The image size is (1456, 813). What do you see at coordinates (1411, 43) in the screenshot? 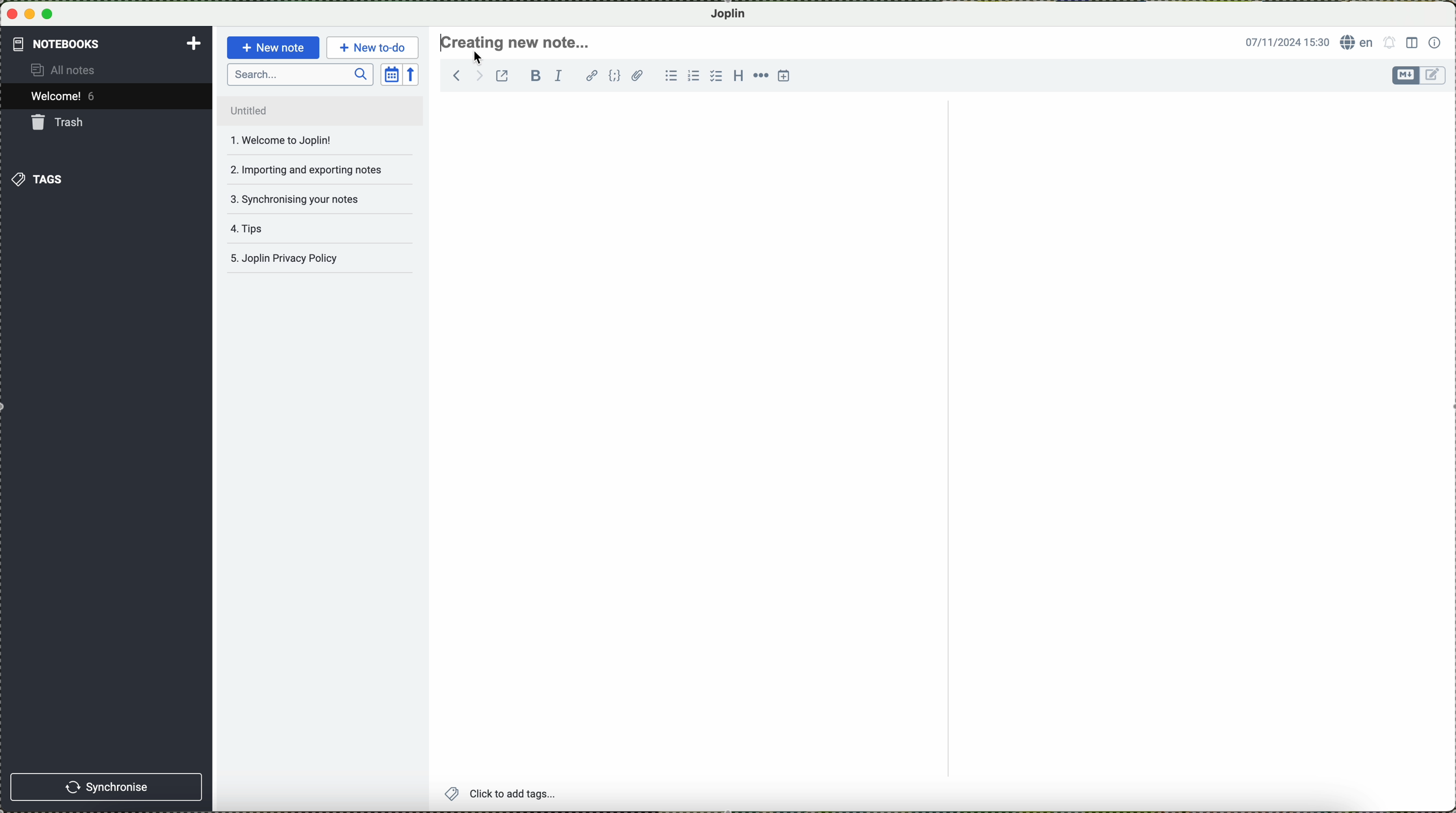
I see `toggle editor layout` at bounding box center [1411, 43].